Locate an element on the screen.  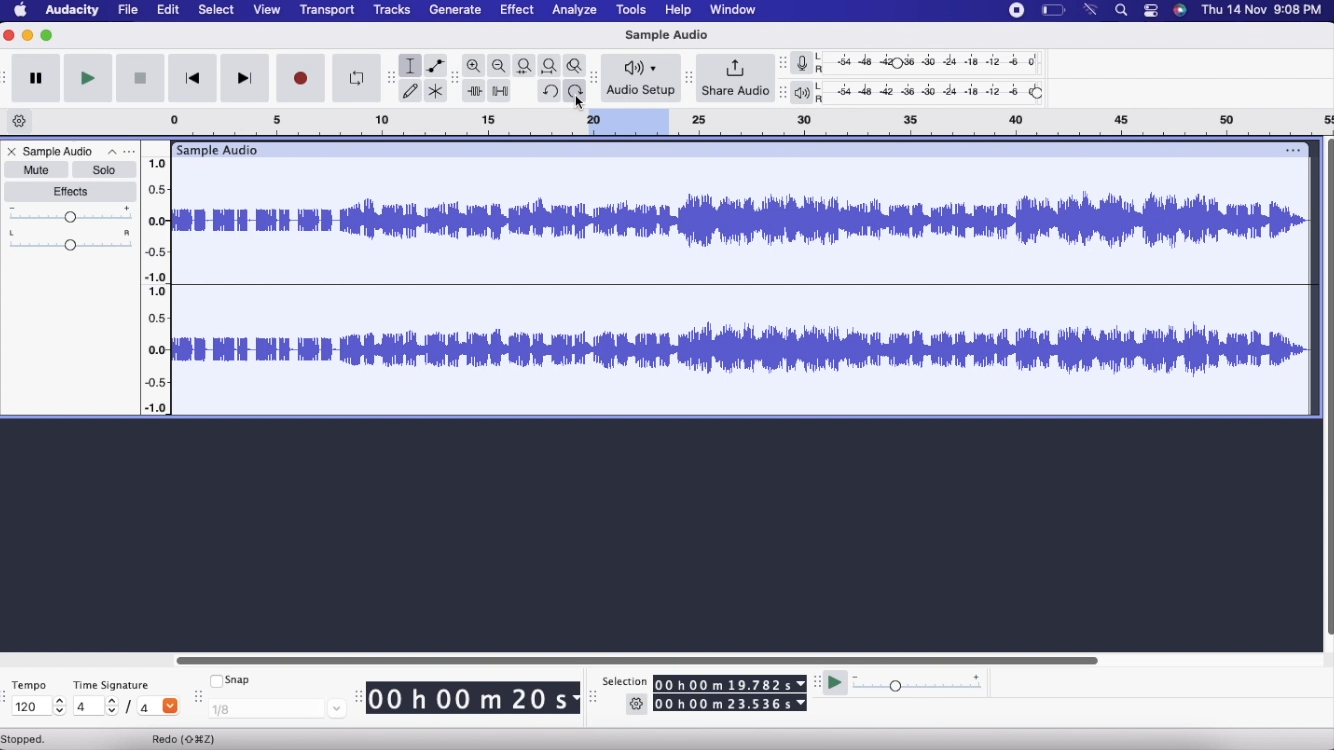
Select is located at coordinates (218, 10).